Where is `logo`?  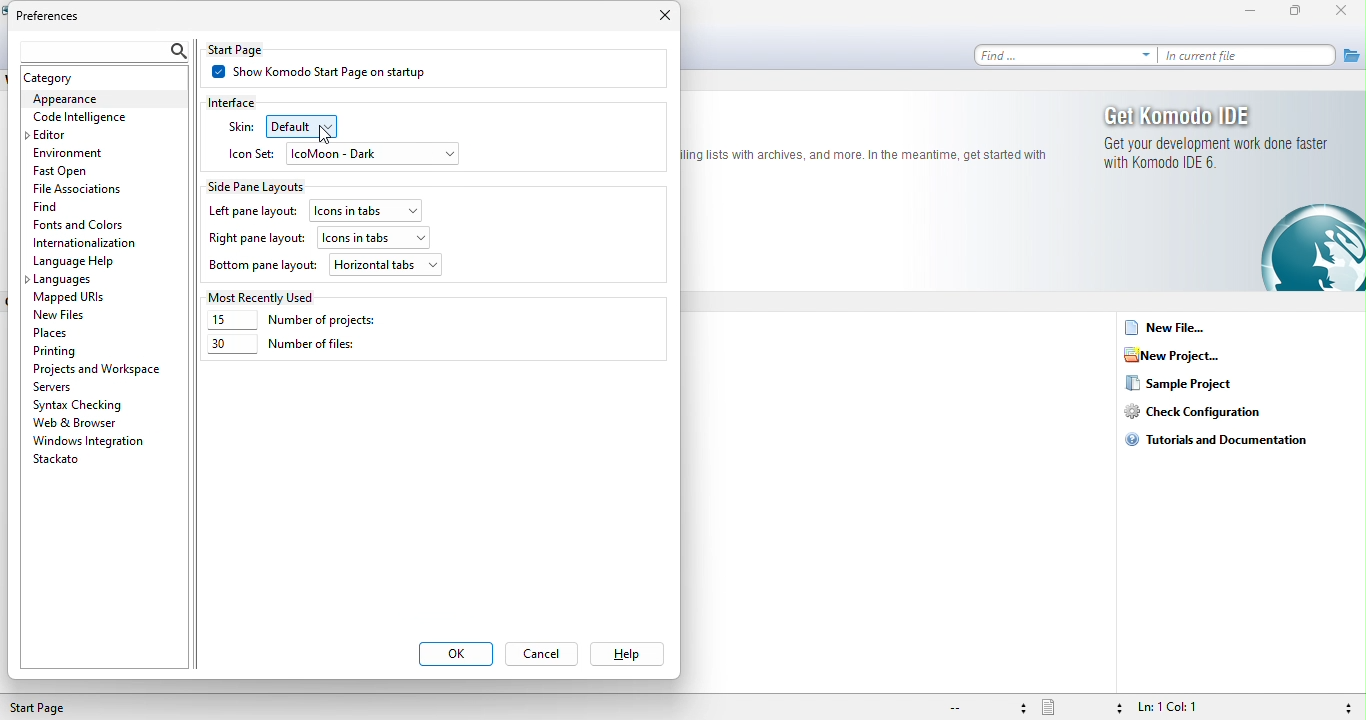 logo is located at coordinates (1312, 248).